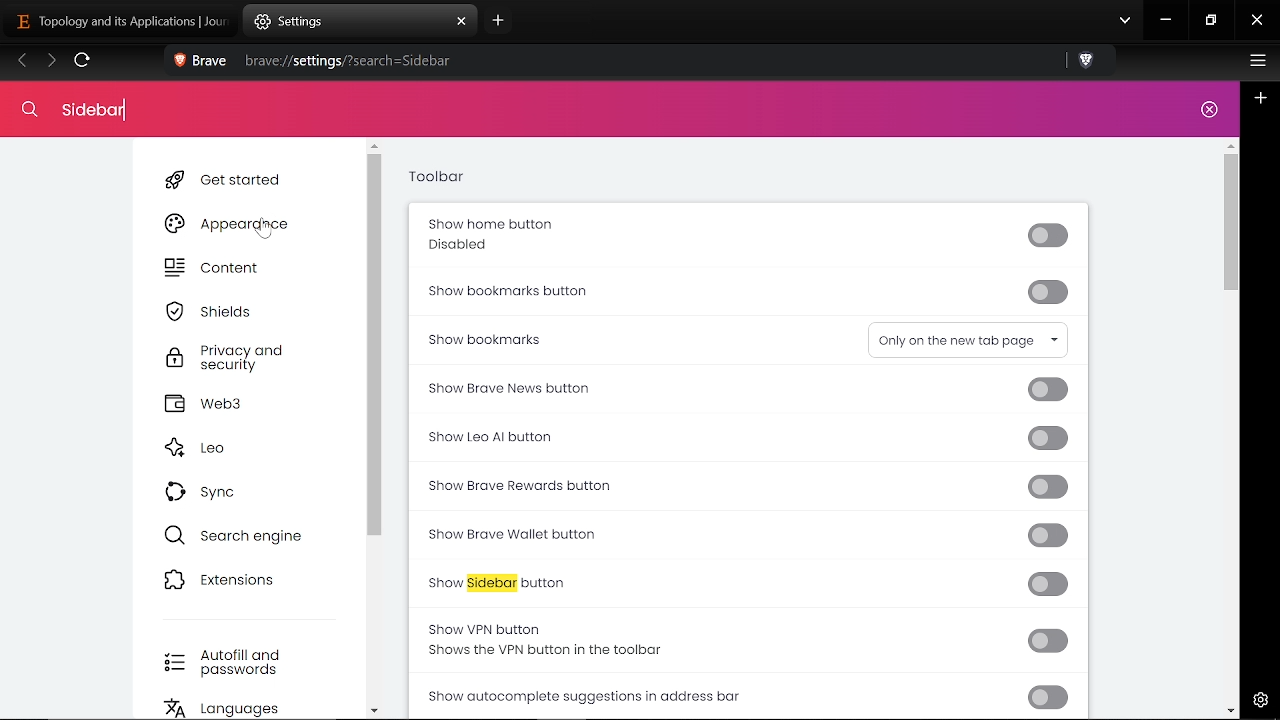  Describe the element at coordinates (229, 180) in the screenshot. I see `Get started` at that location.